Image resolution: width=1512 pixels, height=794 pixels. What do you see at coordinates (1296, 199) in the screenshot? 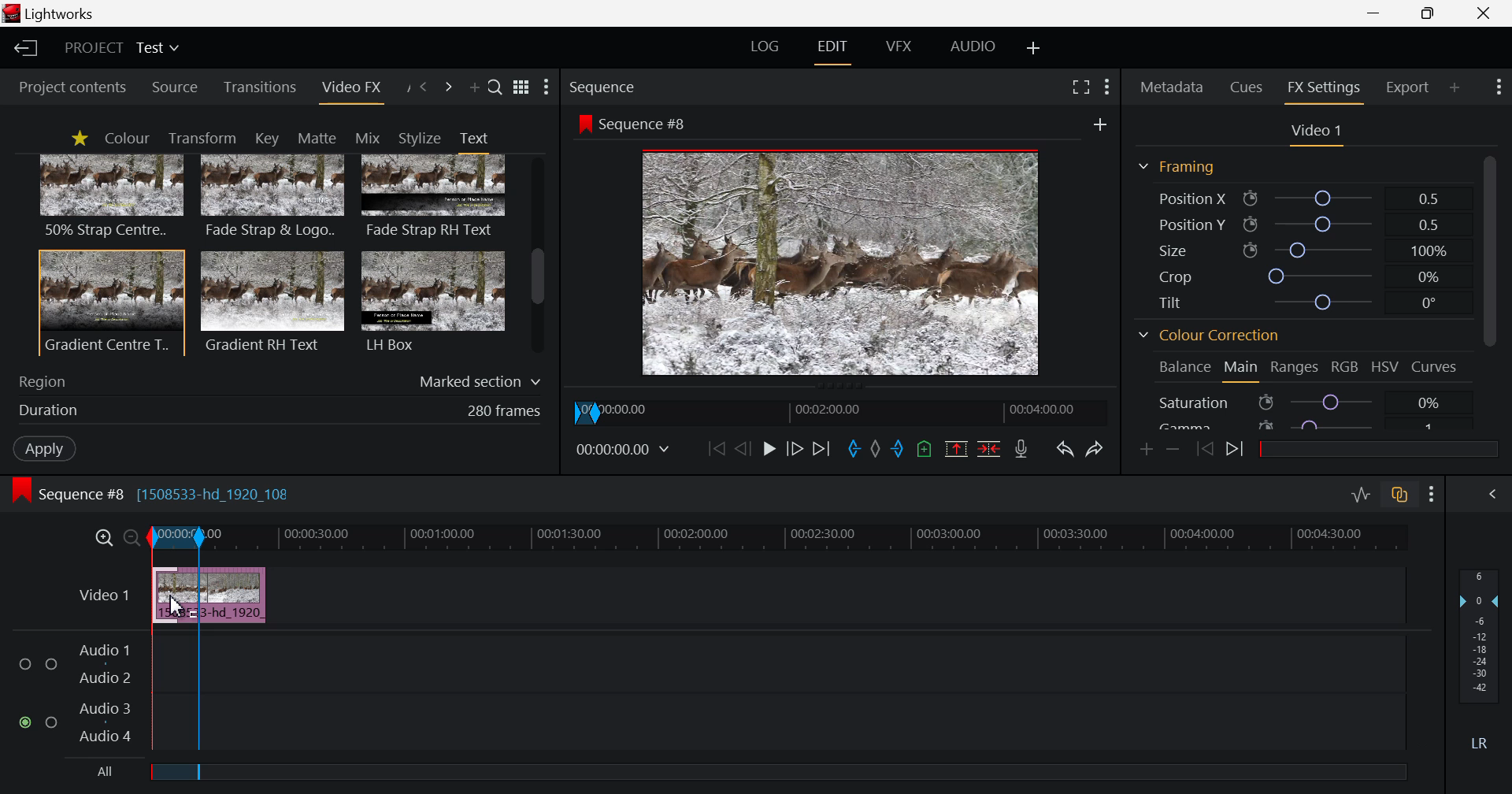
I see `Position X` at bounding box center [1296, 199].